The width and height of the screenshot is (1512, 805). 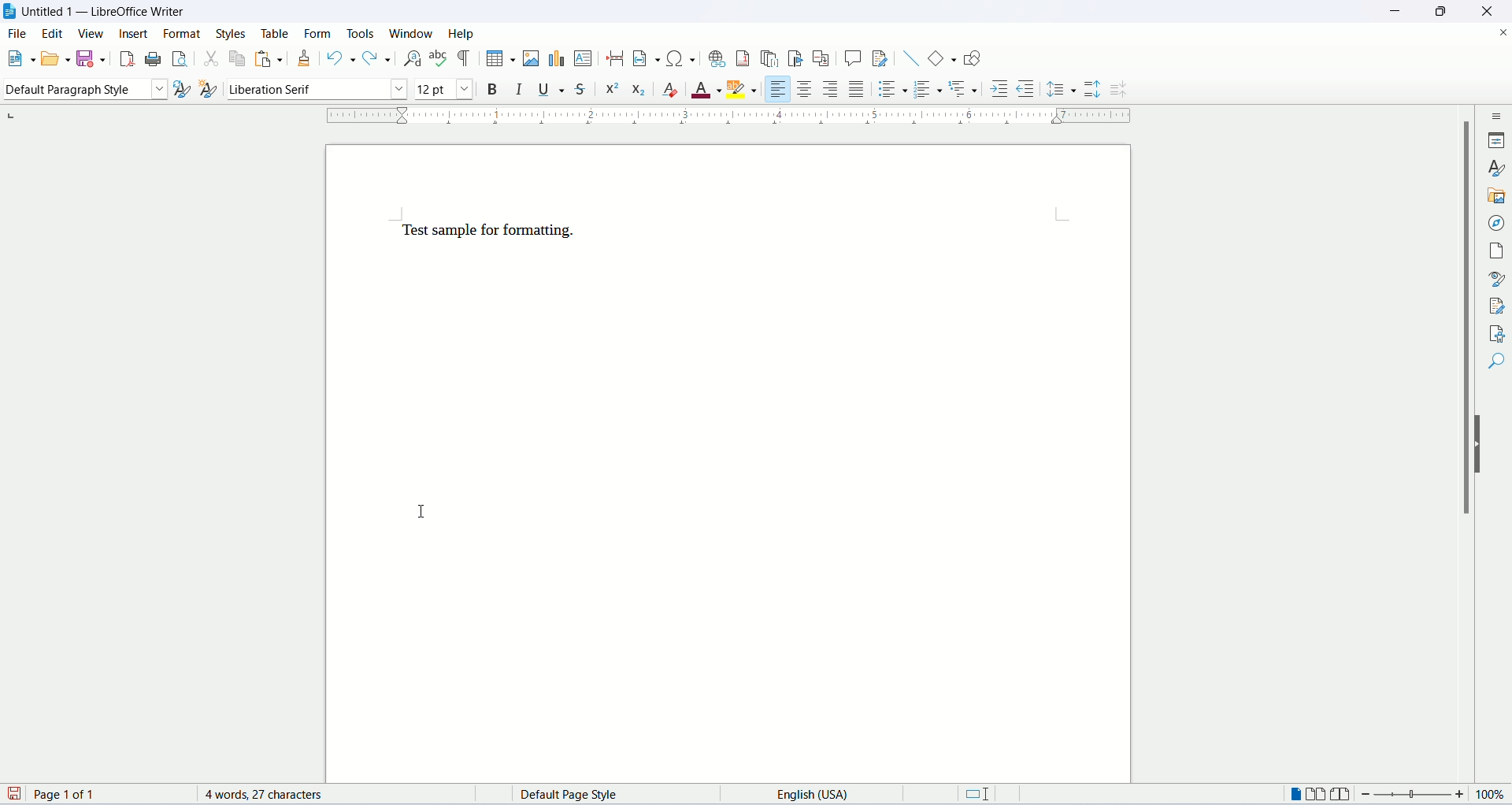 What do you see at coordinates (584, 58) in the screenshot?
I see `insert textbox` at bounding box center [584, 58].